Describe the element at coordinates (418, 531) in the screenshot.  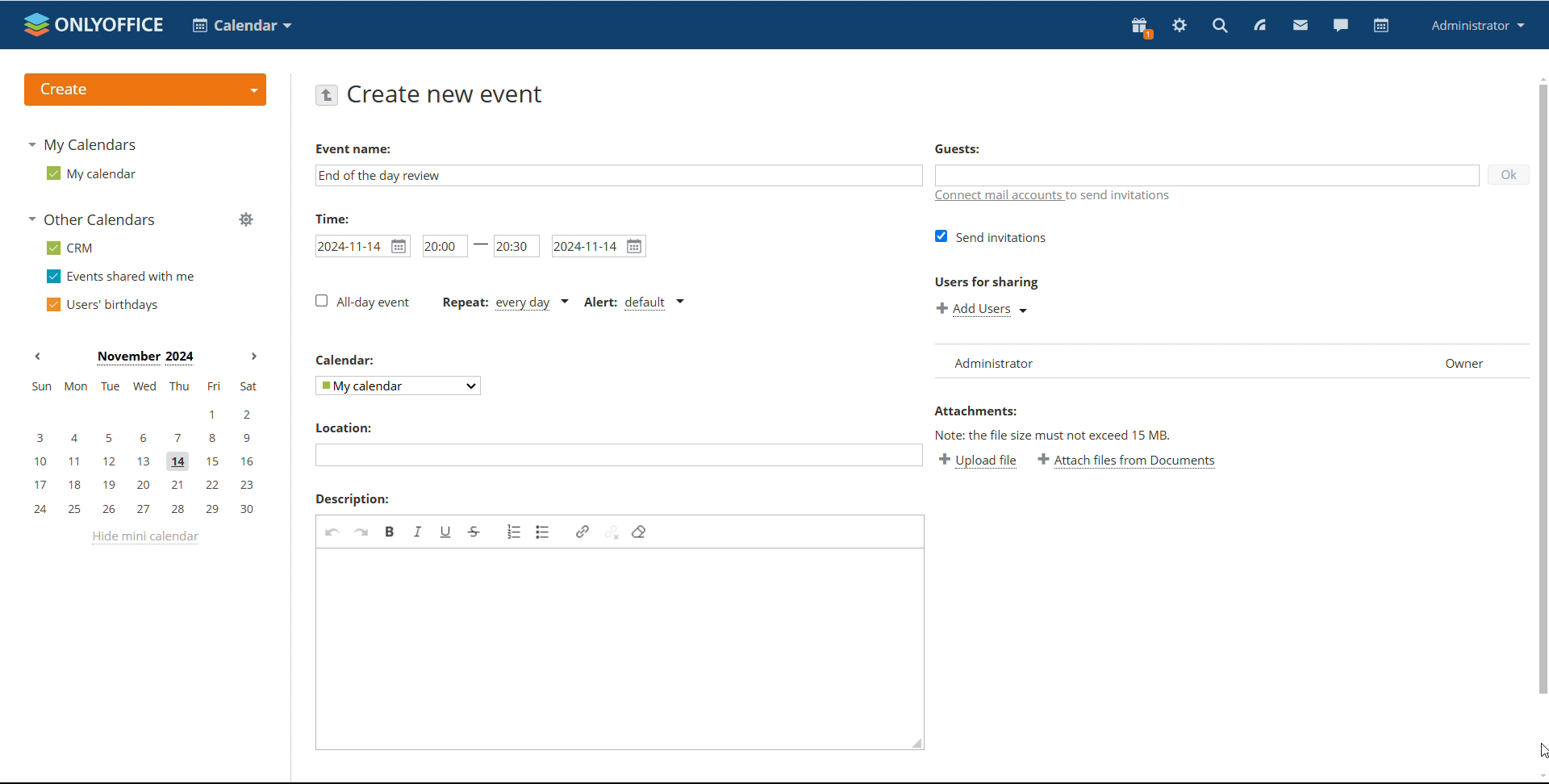
I see `italic` at that location.